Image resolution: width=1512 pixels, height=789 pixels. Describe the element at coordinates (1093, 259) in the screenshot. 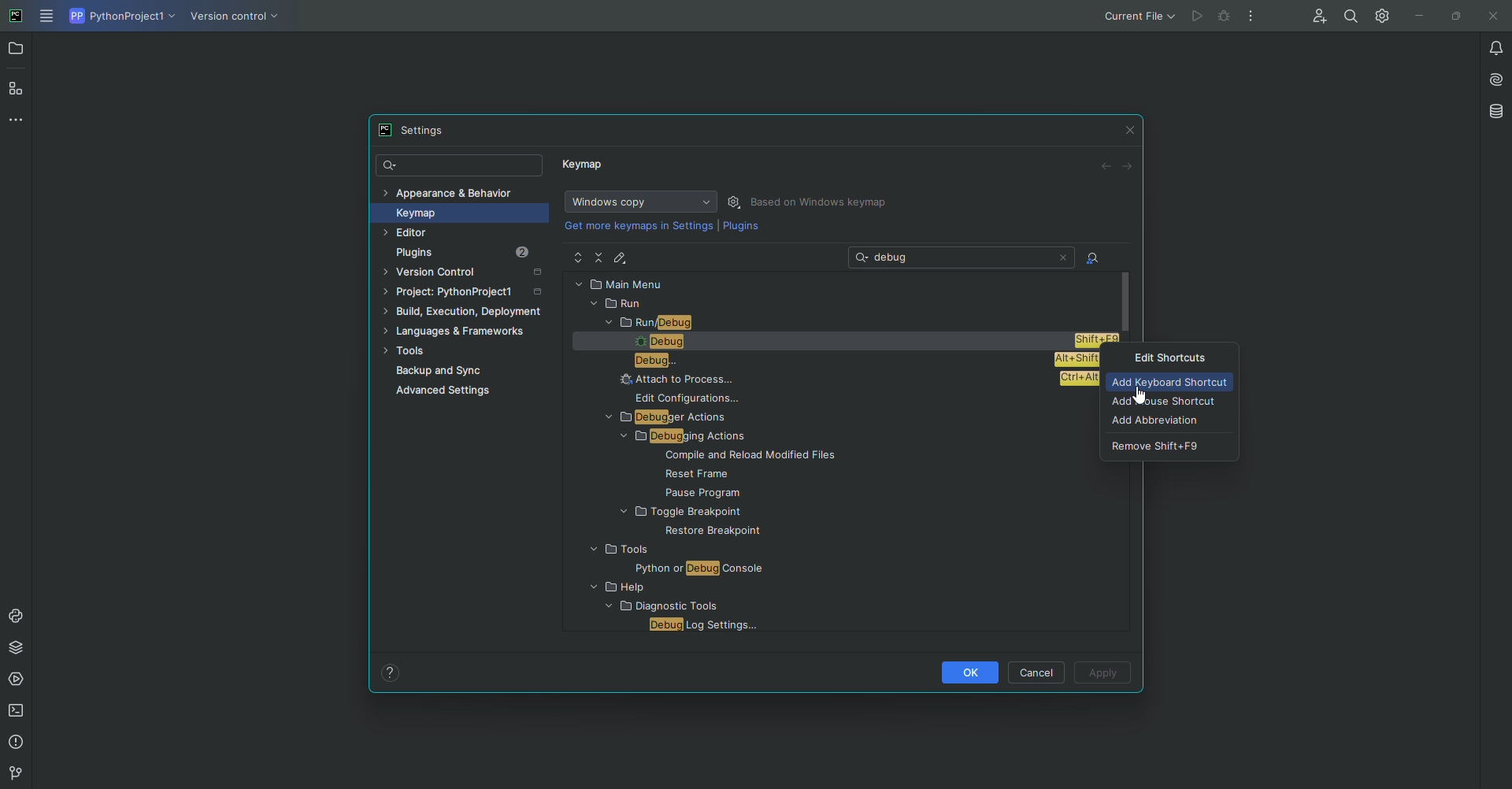

I see `Find Actions` at that location.